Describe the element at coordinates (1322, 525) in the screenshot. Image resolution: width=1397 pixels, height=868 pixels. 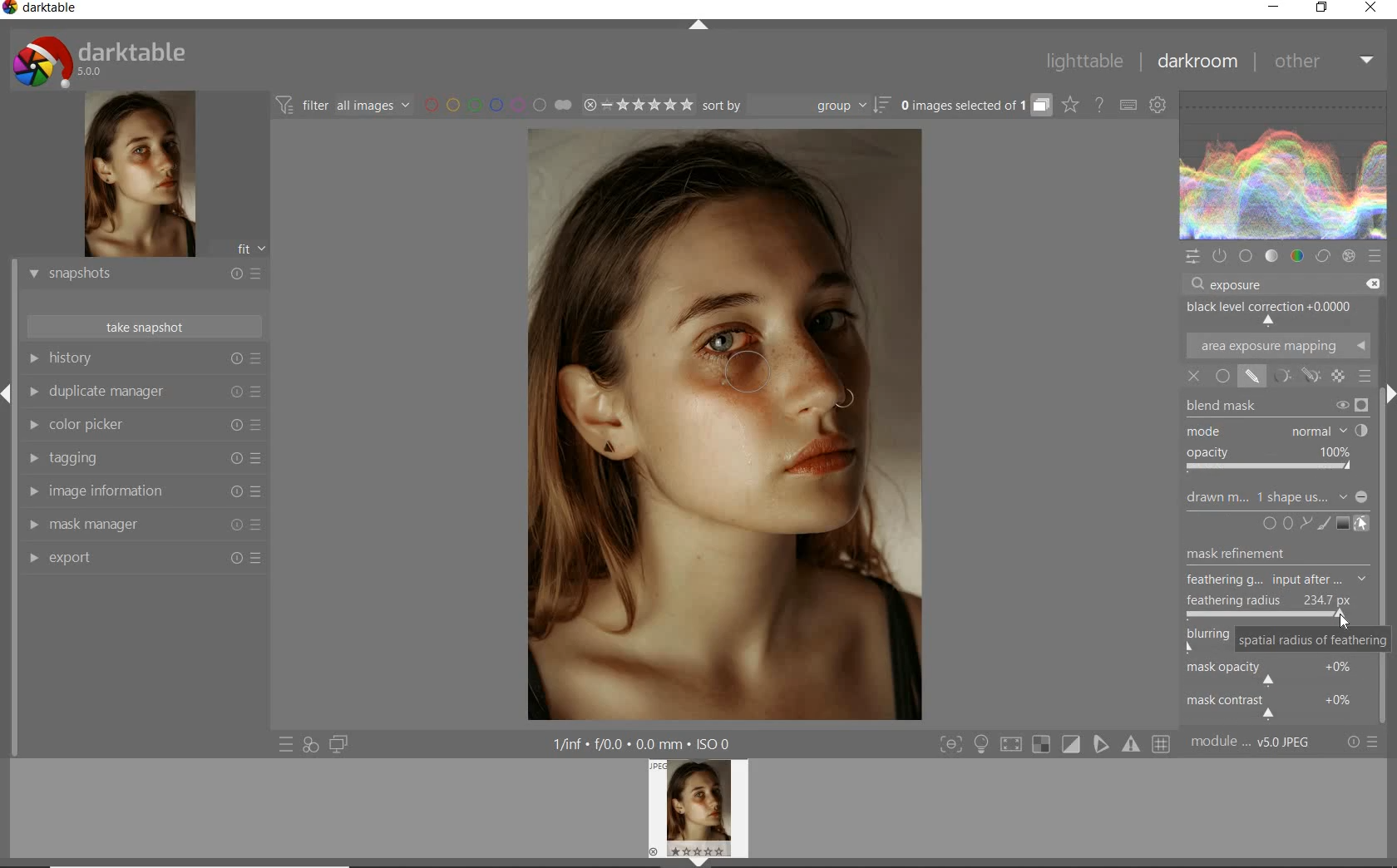
I see `ADD BRUSH` at that location.